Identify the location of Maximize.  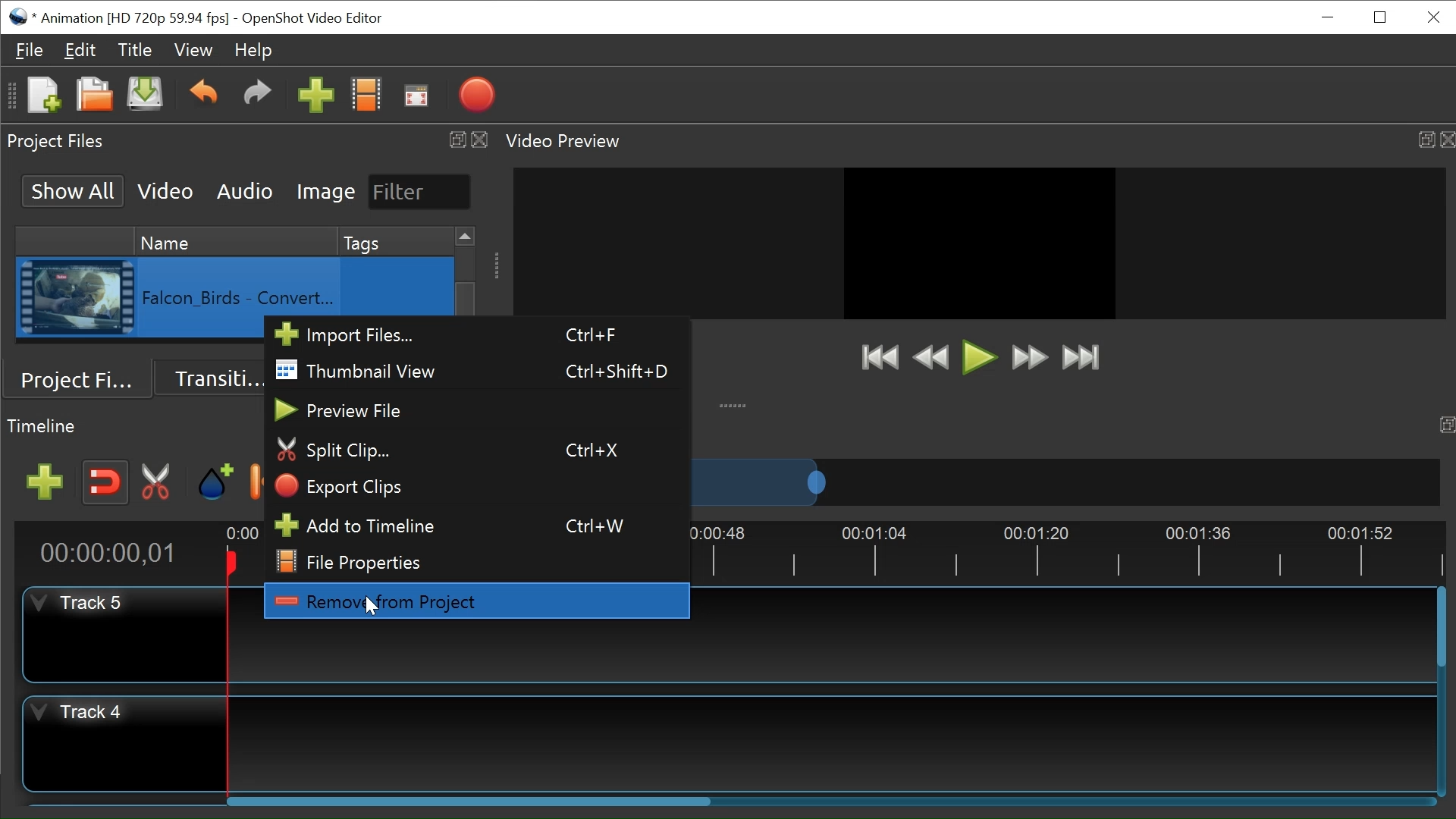
(453, 140).